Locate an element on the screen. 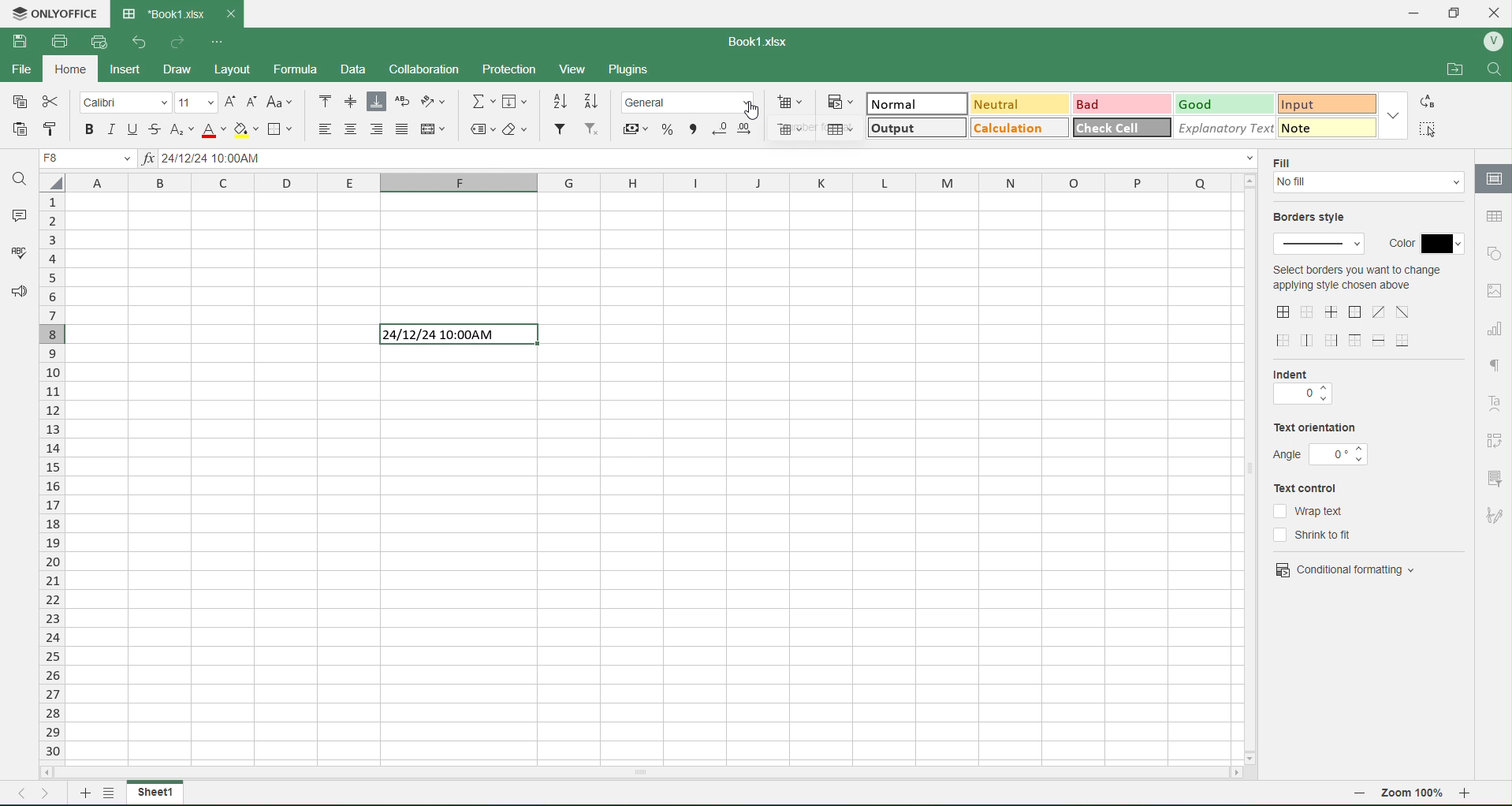  Named Ranges is located at coordinates (481, 129).